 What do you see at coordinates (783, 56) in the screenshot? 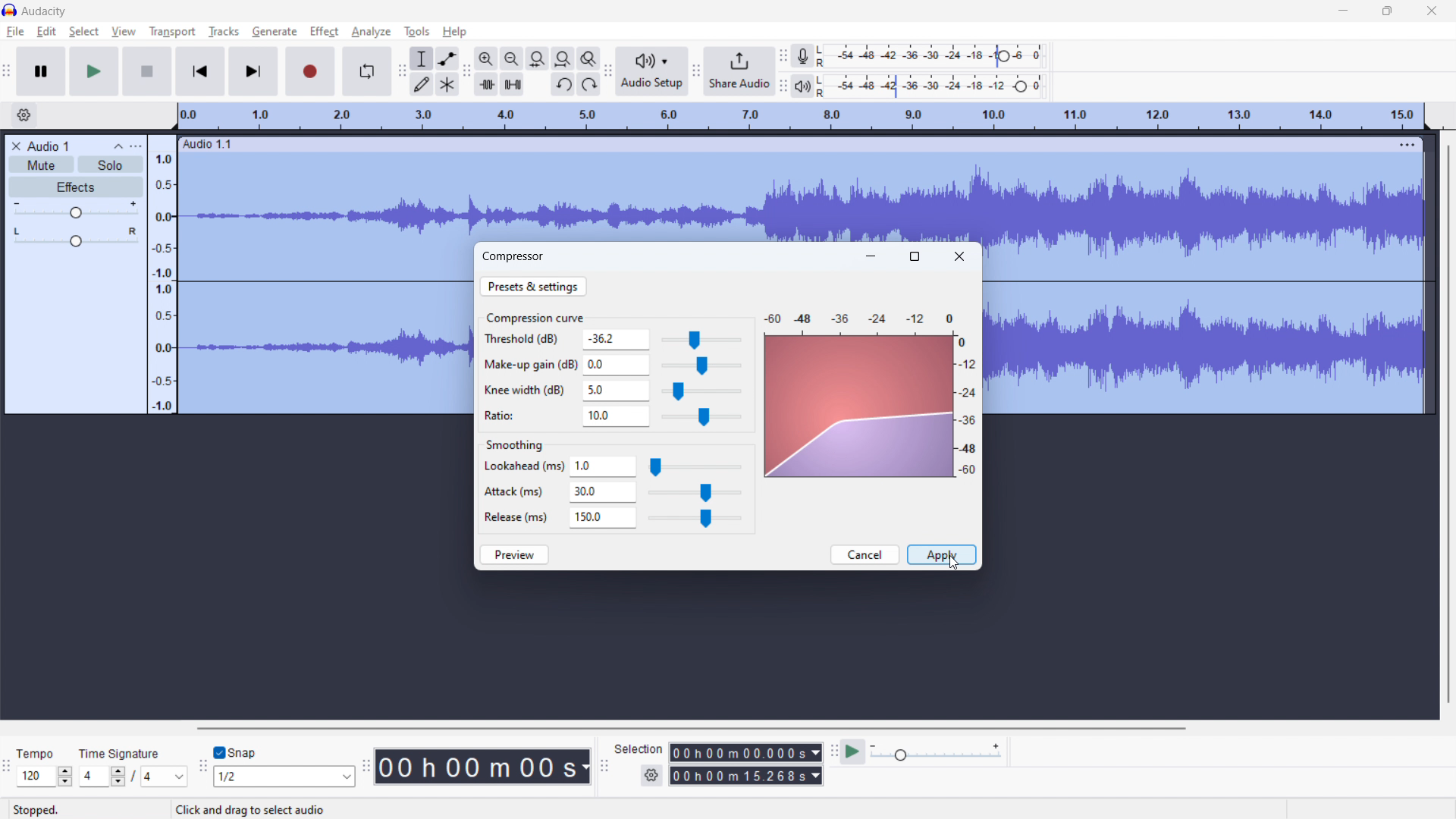
I see `recording meter toolbar` at bounding box center [783, 56].